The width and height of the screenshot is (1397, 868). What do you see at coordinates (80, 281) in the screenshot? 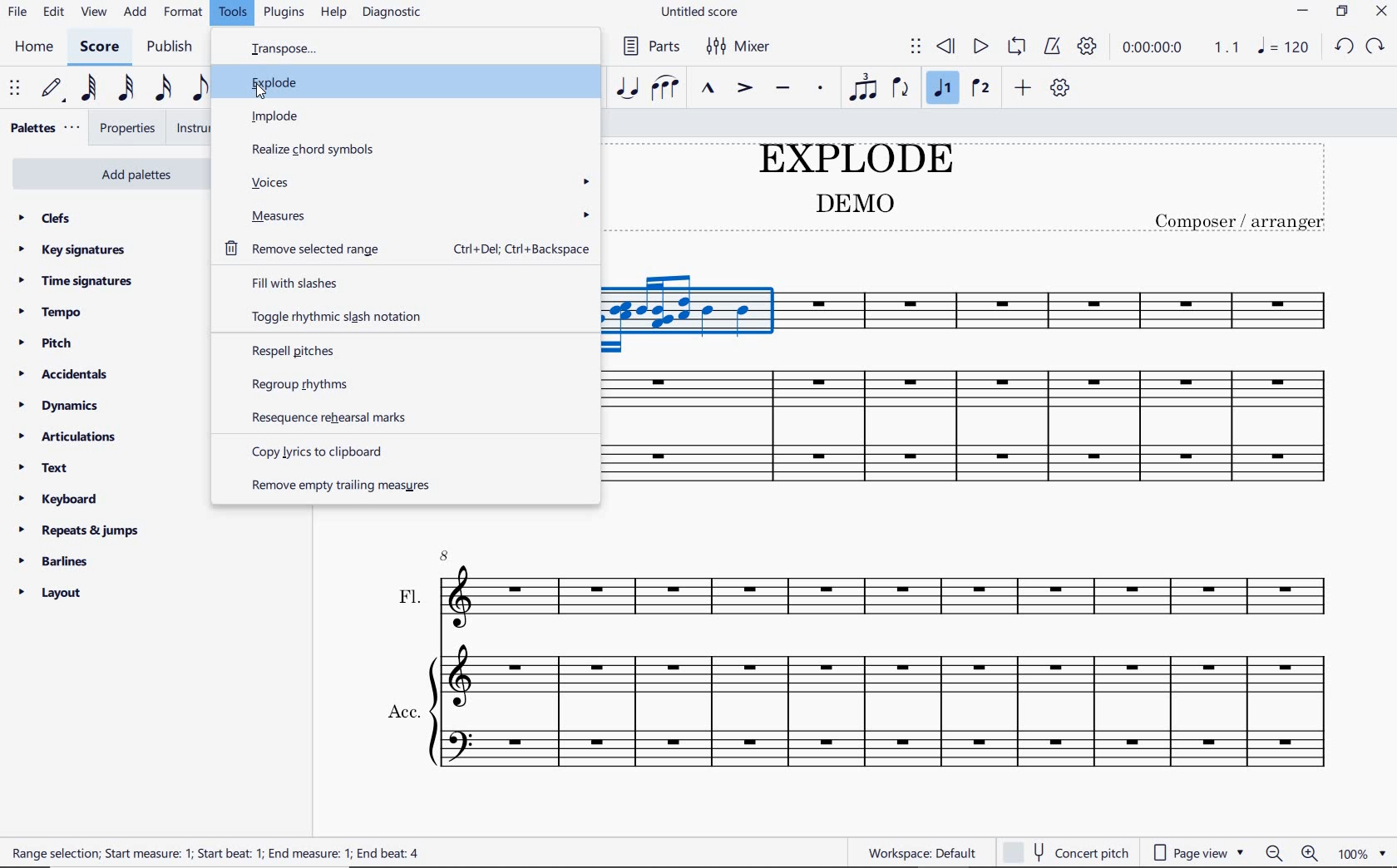
I see `time signatures` at bounding box center [80, 281].